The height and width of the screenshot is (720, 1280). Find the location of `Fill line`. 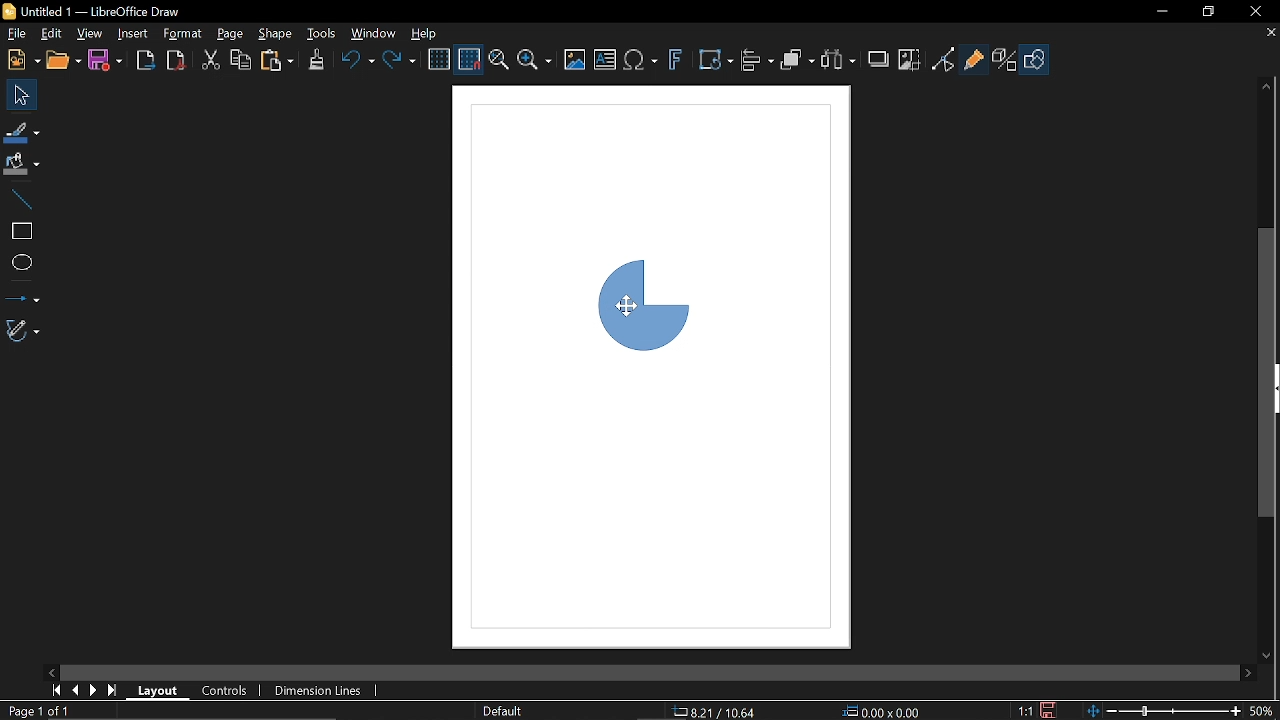

Fill line is located at coordinates (22, 130).